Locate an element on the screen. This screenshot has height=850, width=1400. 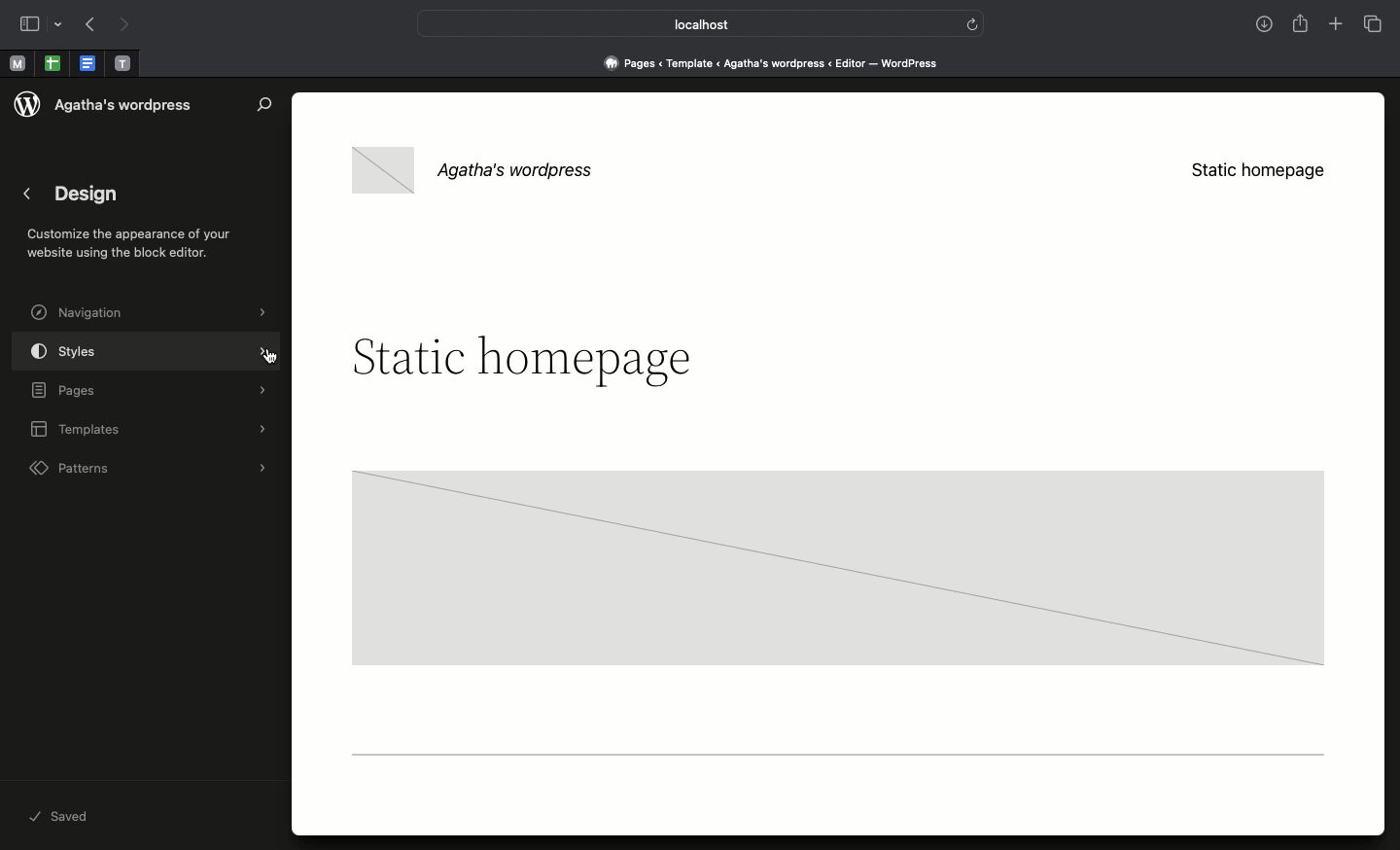
Next page is located at coordinates (124, 25).